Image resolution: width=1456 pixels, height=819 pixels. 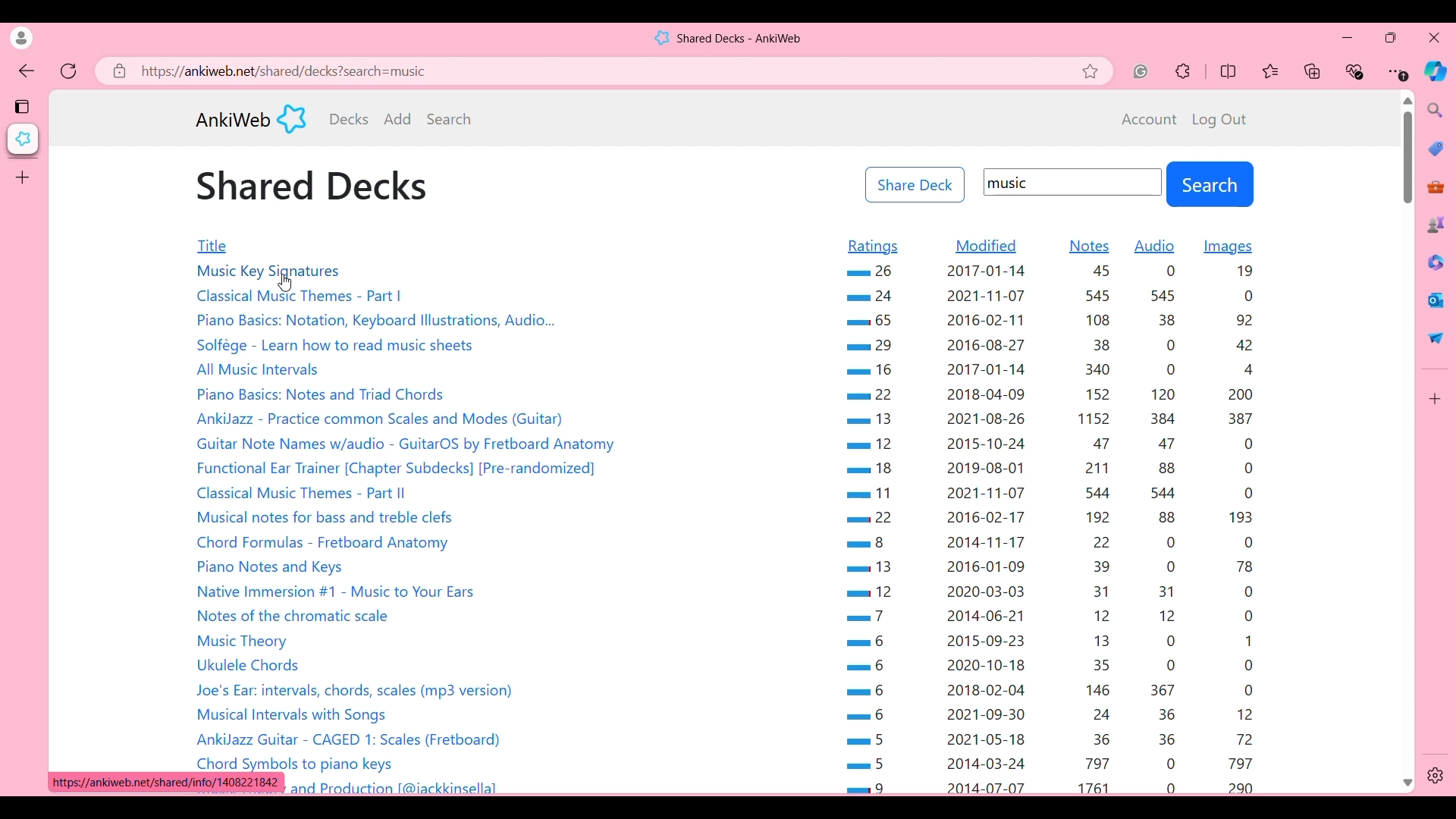 What do you see at coordinates (337, 344) in the screenshot?
I see `Solfege - Learn how to read music sheets` at bounding box center [337, 344].